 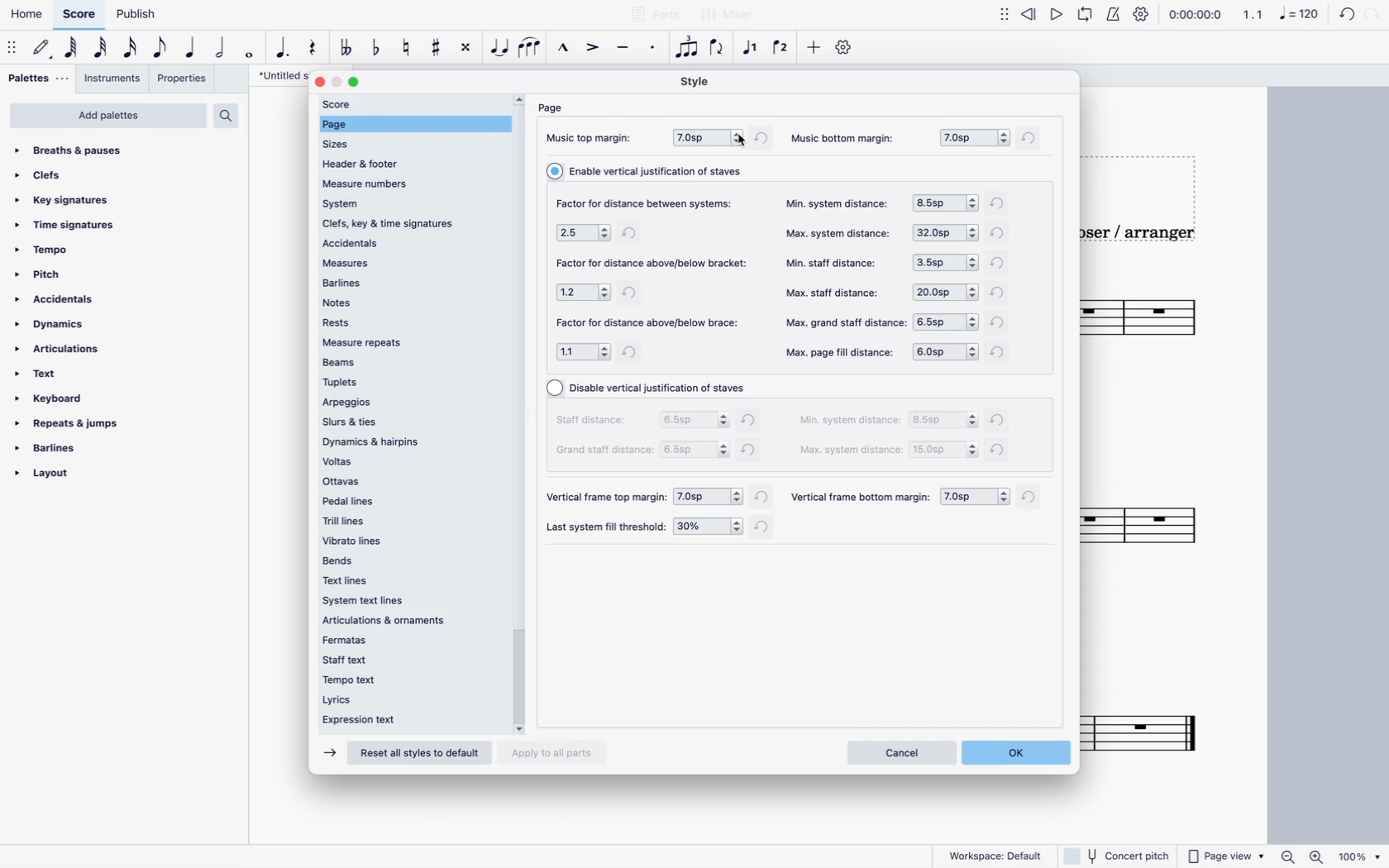 I want to click on min. system distance, so click(x=838, y=203).